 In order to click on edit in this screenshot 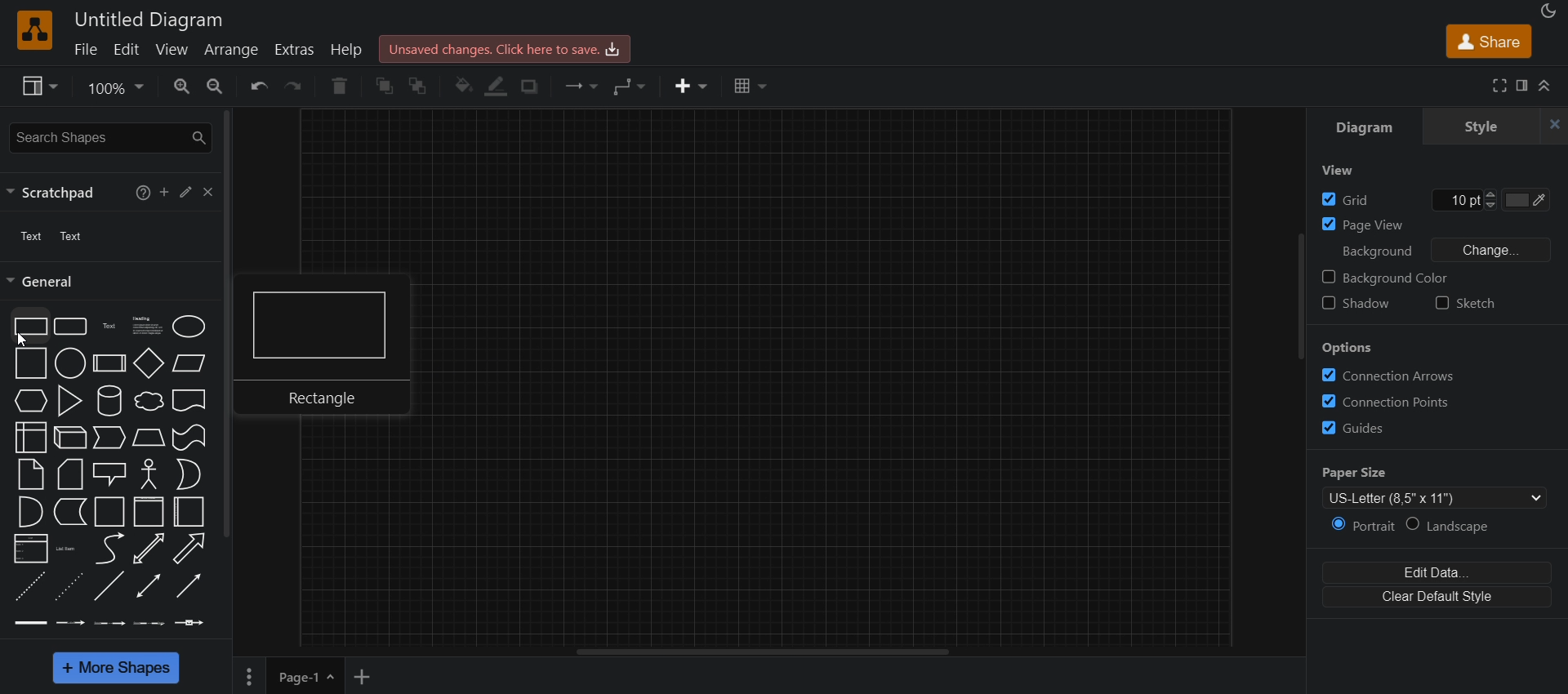, I will do `click(125, 50)`.